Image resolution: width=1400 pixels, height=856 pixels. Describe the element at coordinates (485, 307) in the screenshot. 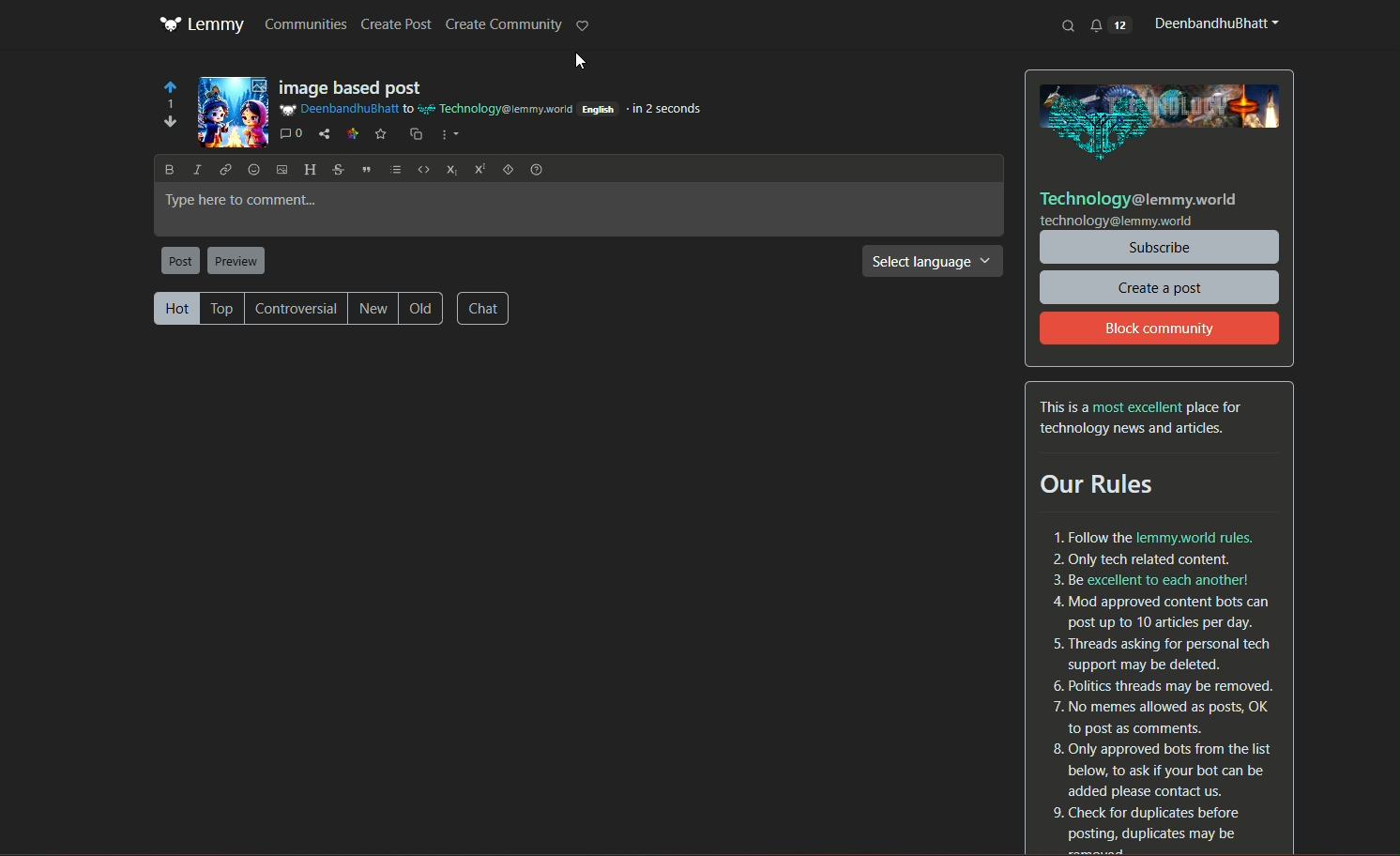

I see `chat` at that location.